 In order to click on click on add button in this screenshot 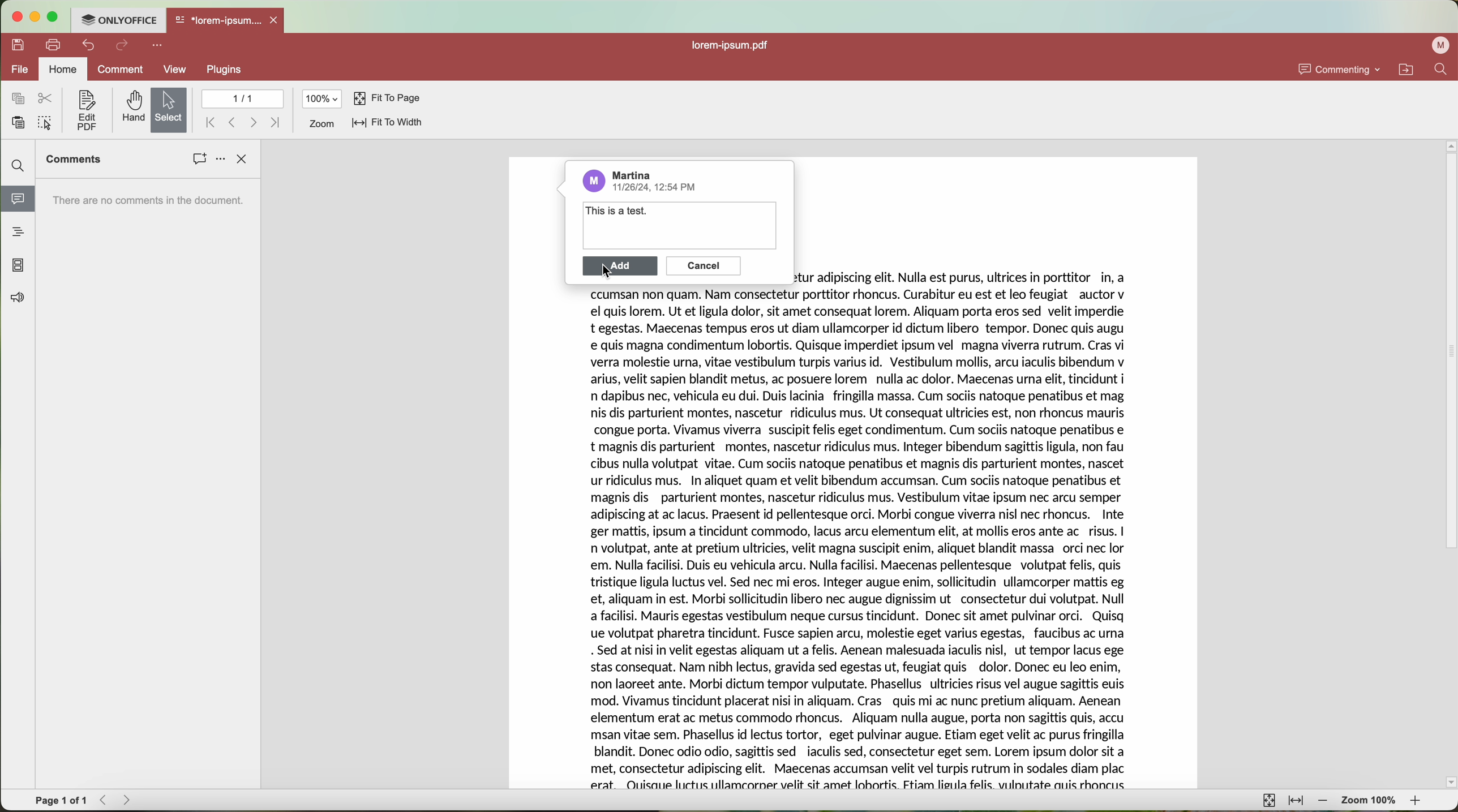, I will do `click(620, 268)`.